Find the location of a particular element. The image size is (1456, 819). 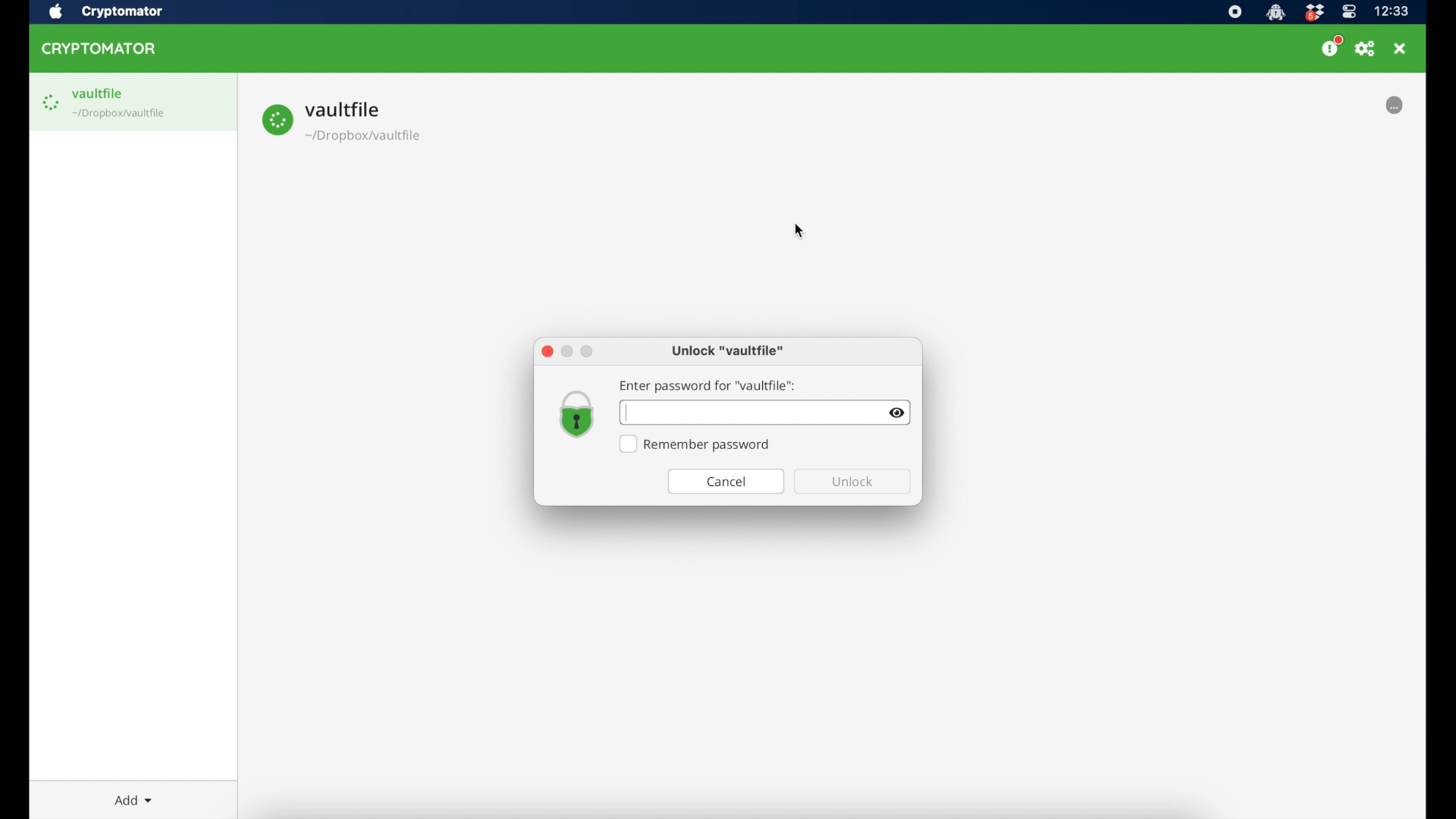

apple icon is located at coordinates (55, 11).